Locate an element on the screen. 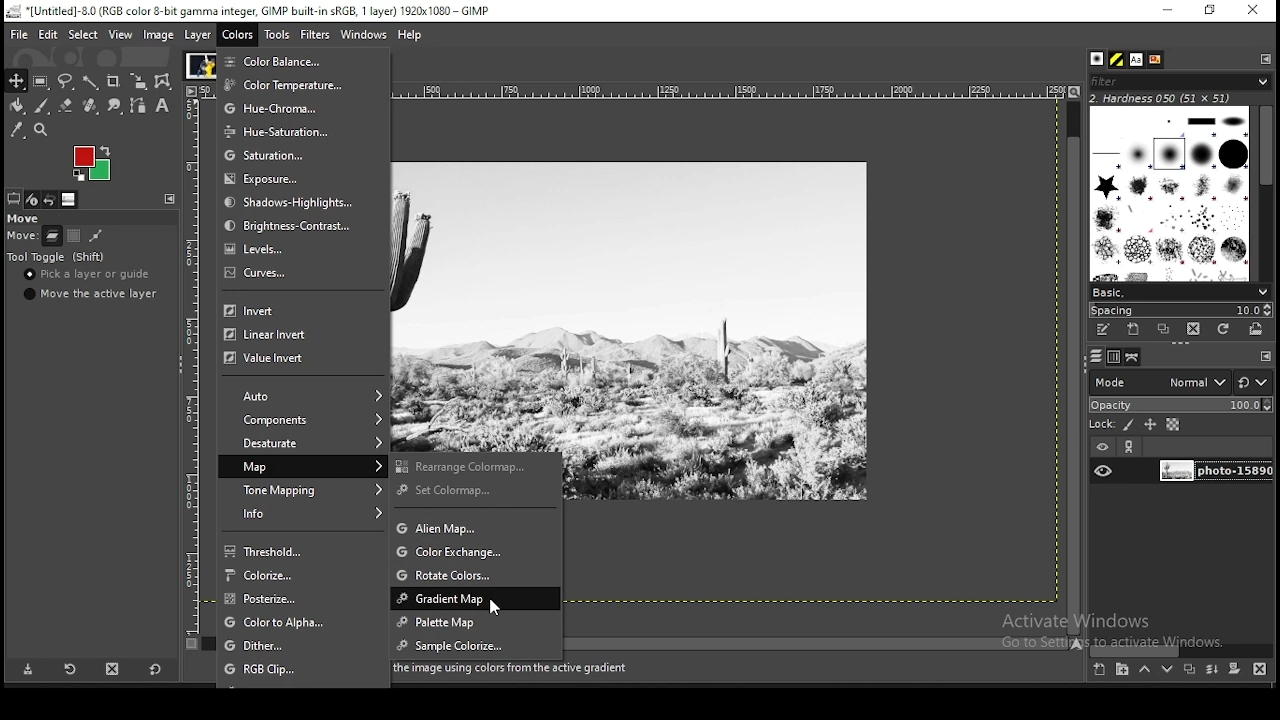 The height and width of the screenshot is (720, 1280). filters is located at coordinates (316, 37).